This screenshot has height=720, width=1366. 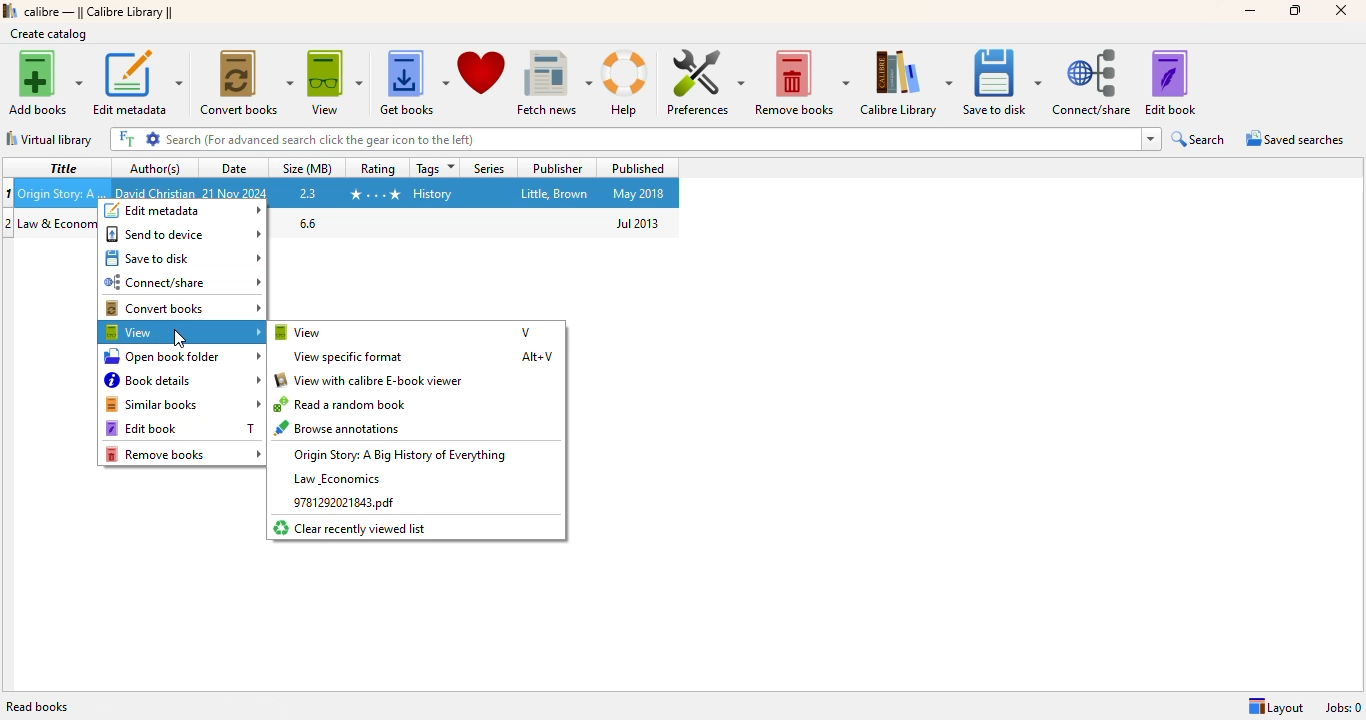 I want to click on published date, so click(x=638, y=194).